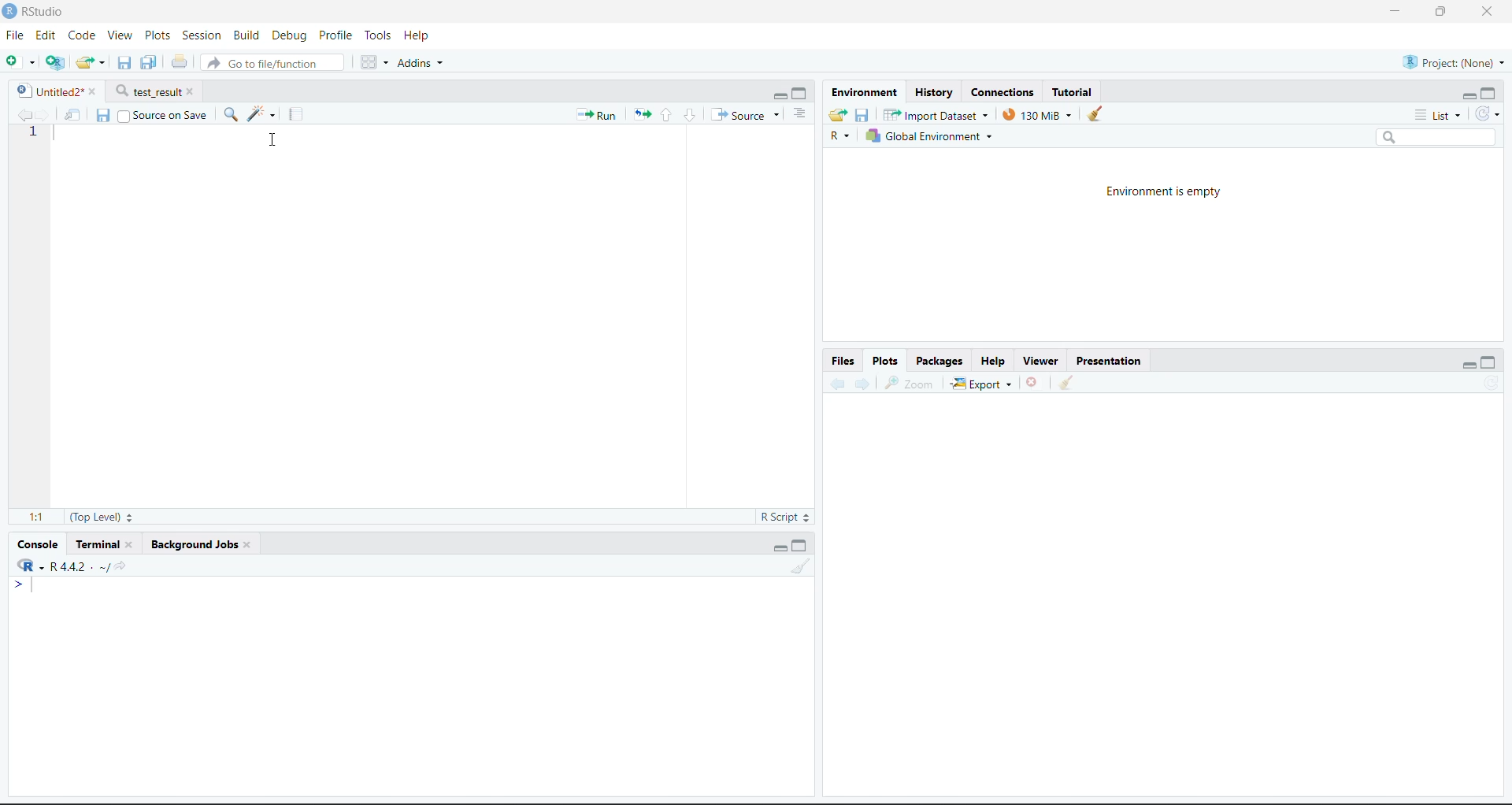  I want to click on R, so click(837, 135).